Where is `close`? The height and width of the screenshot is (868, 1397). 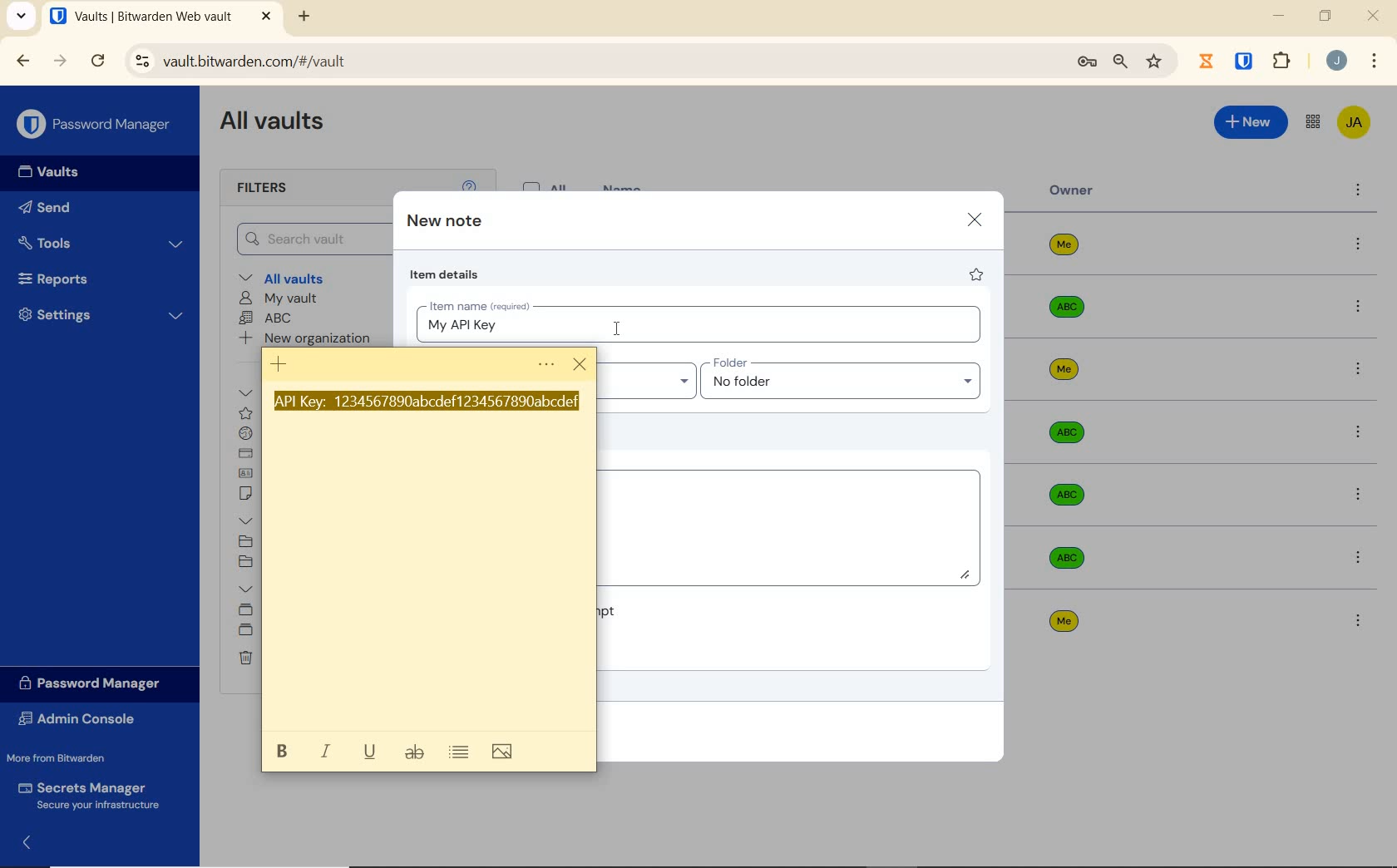
close is located at coordinates (975, 219).